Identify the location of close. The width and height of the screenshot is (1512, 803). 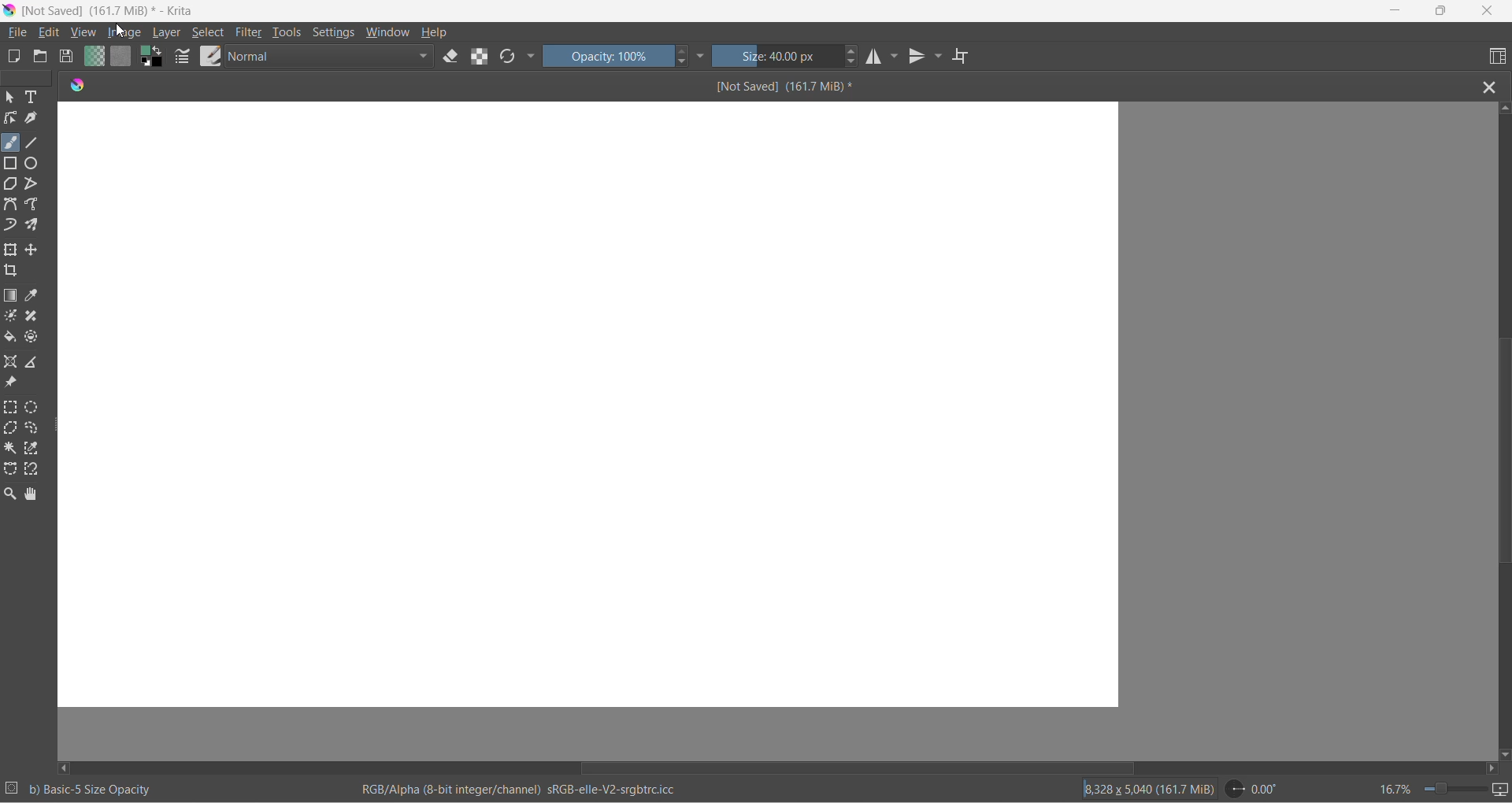
(1488, 12).